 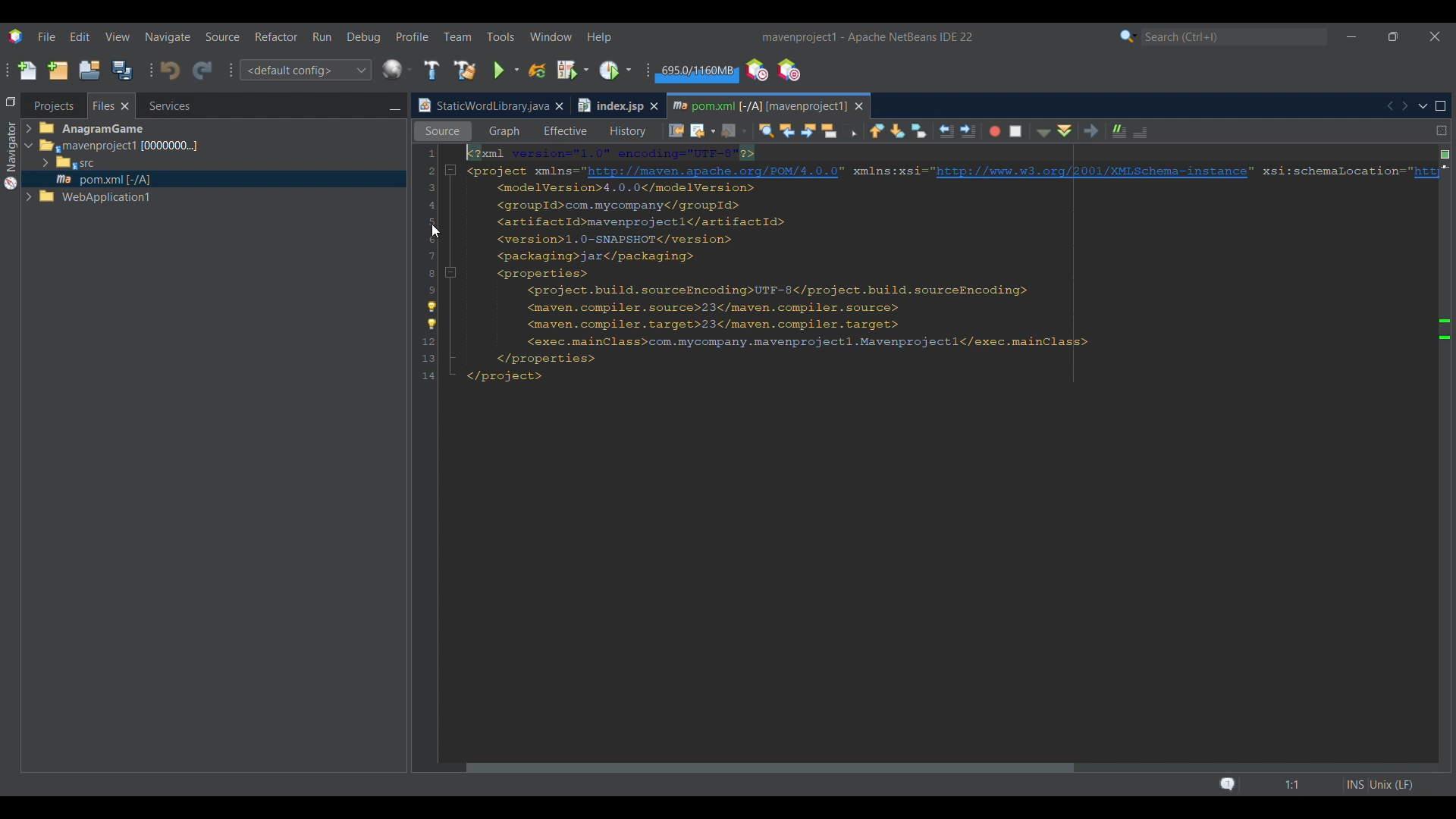 What do you see at coordinates (1404, 105) in the screenshot?
I see `Next` at bounding box center [1404, 105].